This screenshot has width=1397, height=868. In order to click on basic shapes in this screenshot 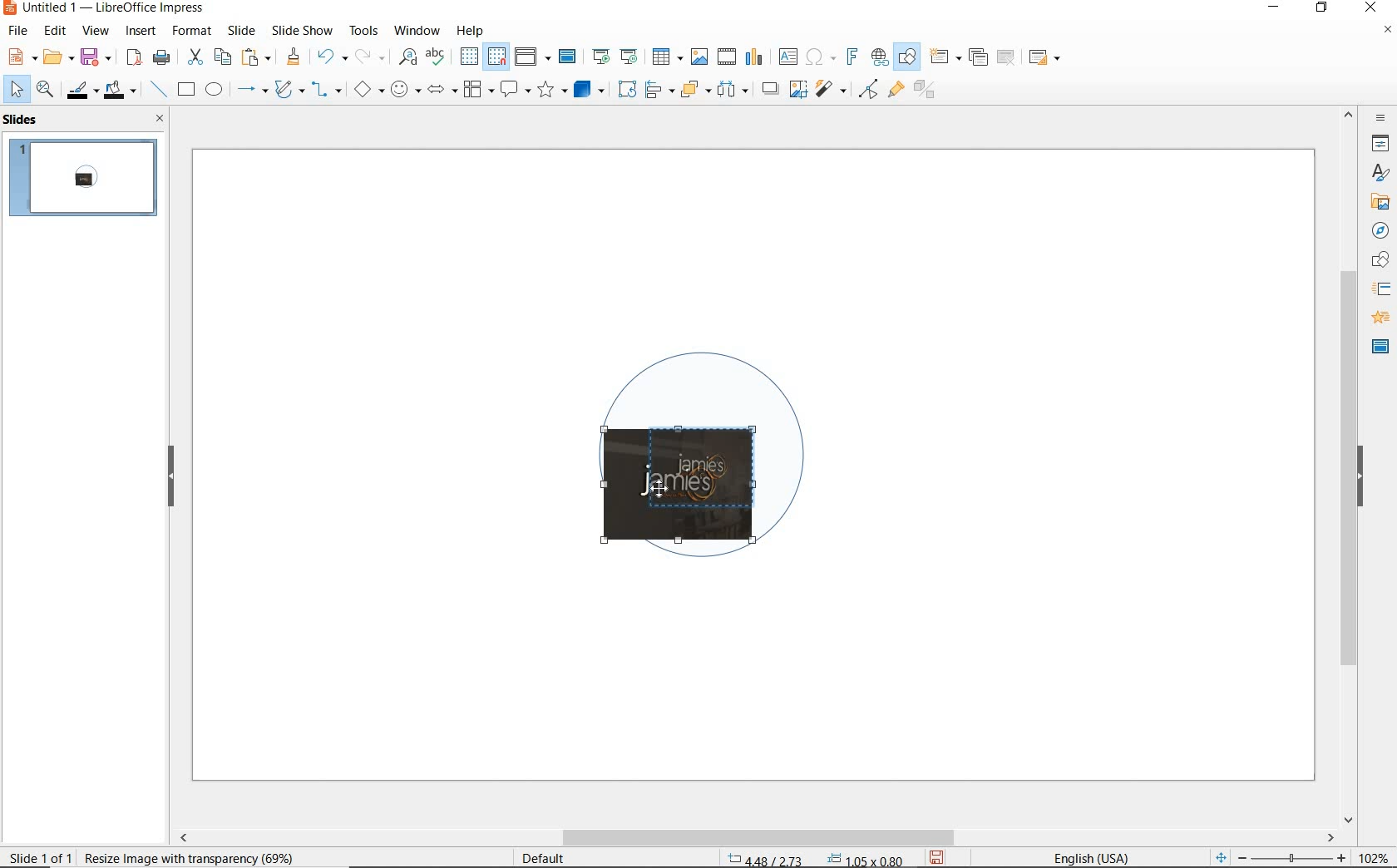, I will do `click(368, 91)`.